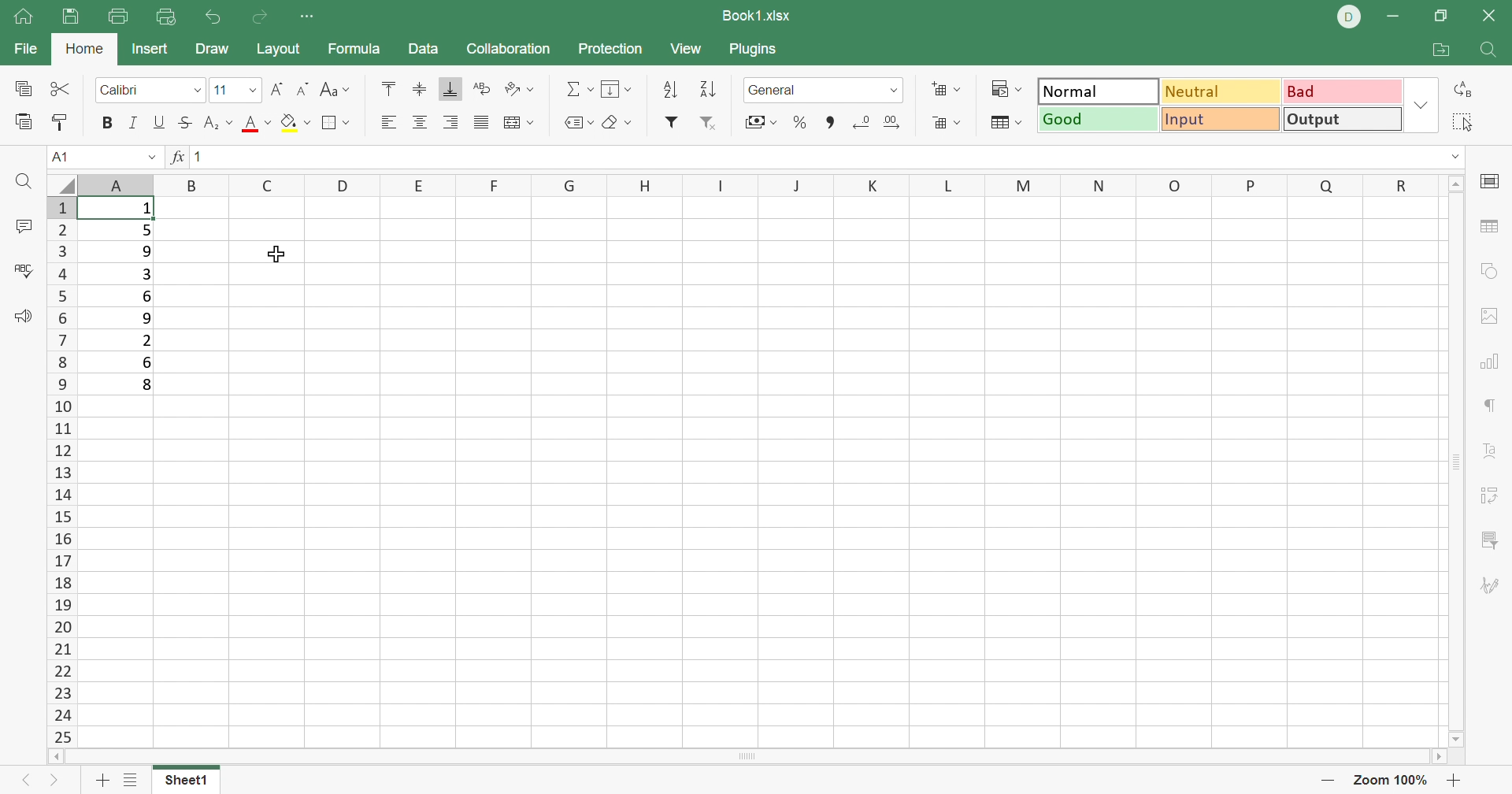 The image size is (1512, 794). I want to click on Good, so click(1097, 119).